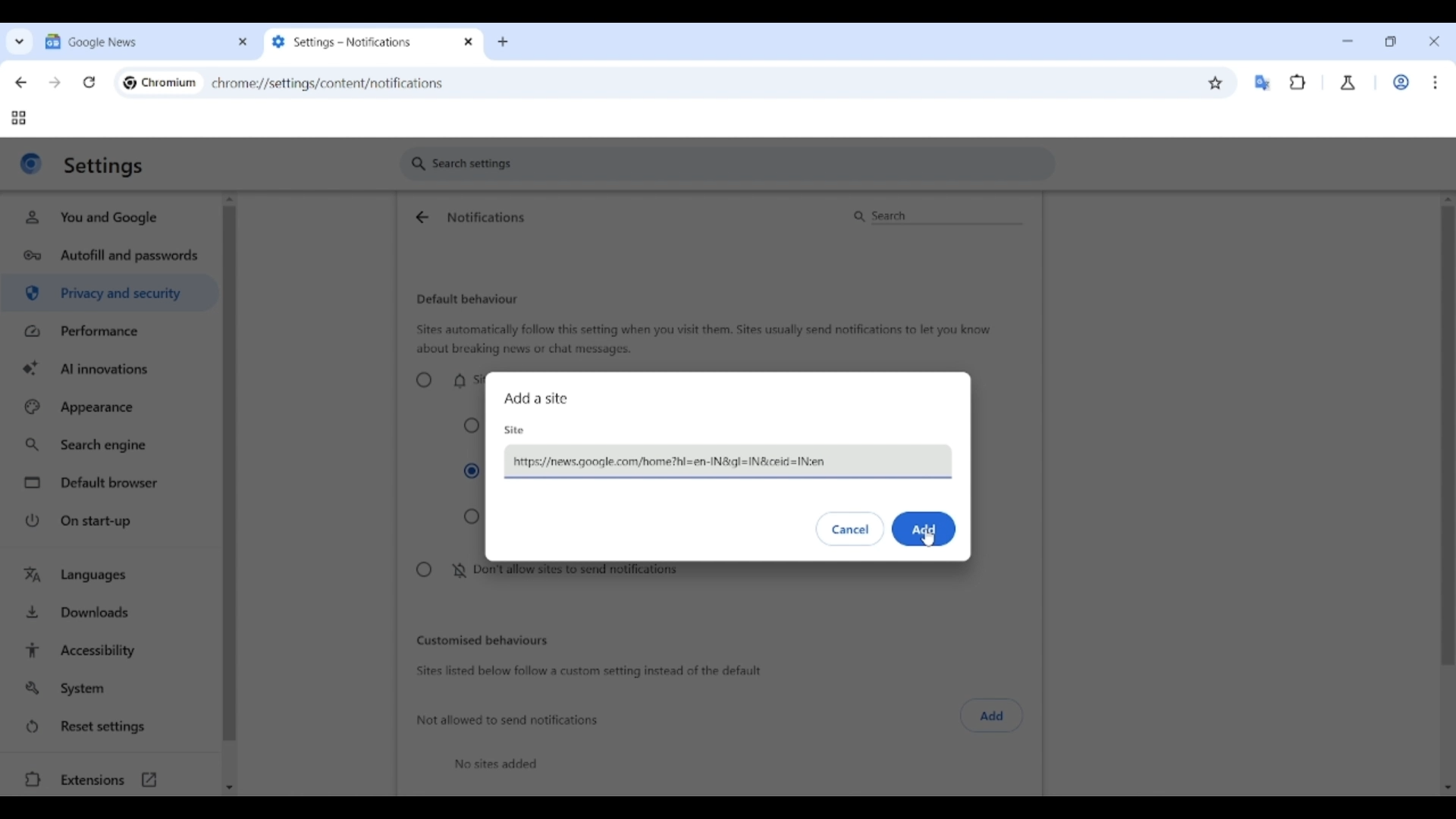 The image size is (1456, 819). I want to click on Add new tab, so click(503, 42).